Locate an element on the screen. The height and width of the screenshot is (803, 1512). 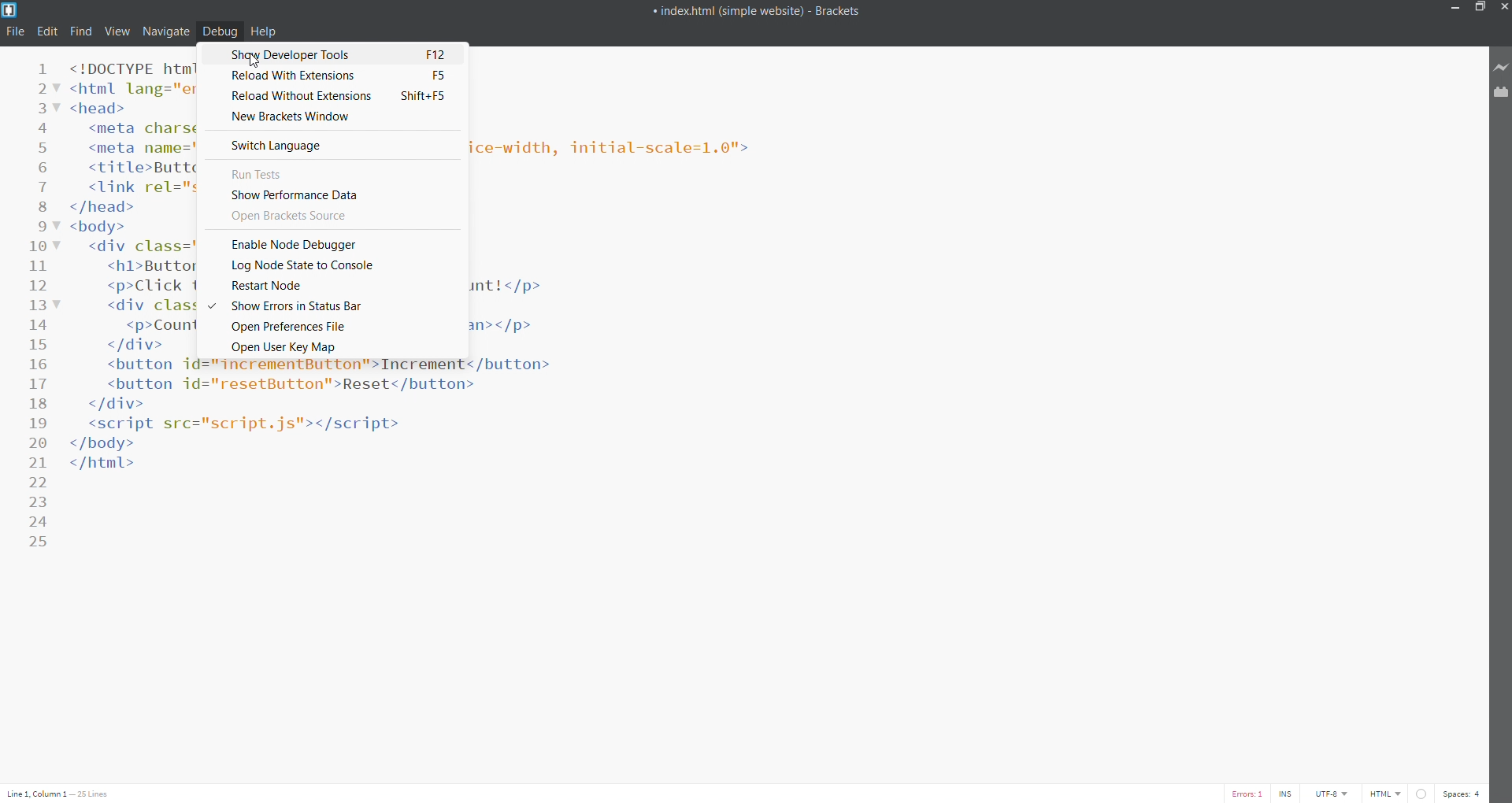
reload without extensions is located at coordinates (331, 96).